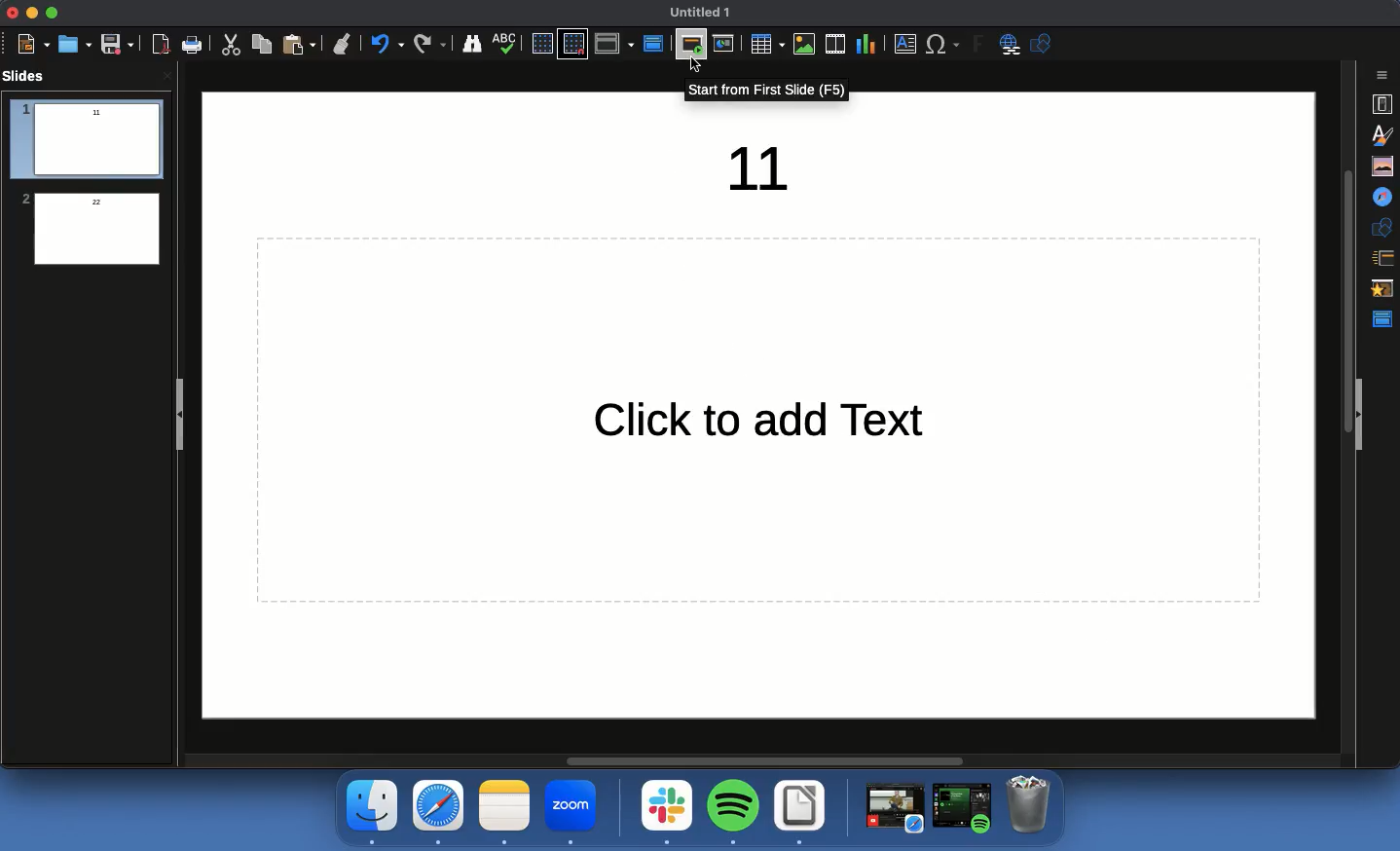 This screenshot has width=1400, height=851. I want to click on Zoom, so click(572, 814).